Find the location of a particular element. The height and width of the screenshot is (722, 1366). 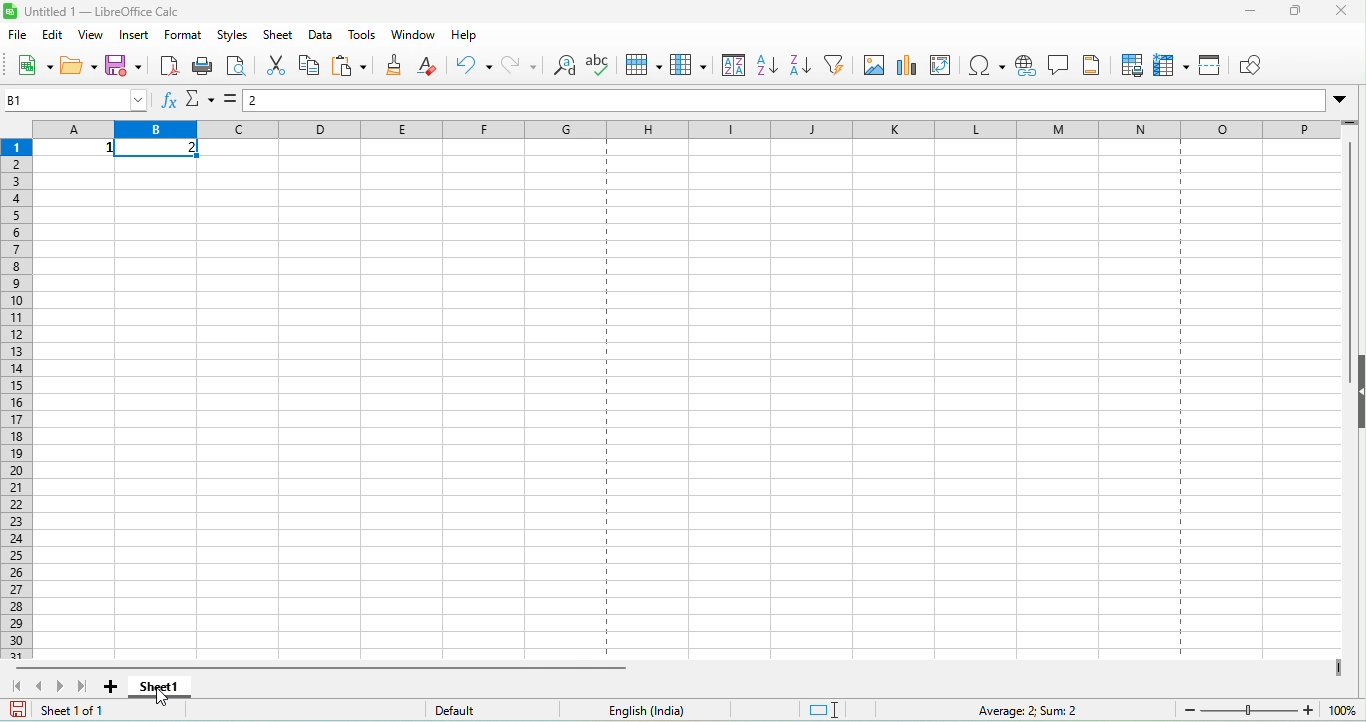

zoom is located at coordinates (1272, 710).